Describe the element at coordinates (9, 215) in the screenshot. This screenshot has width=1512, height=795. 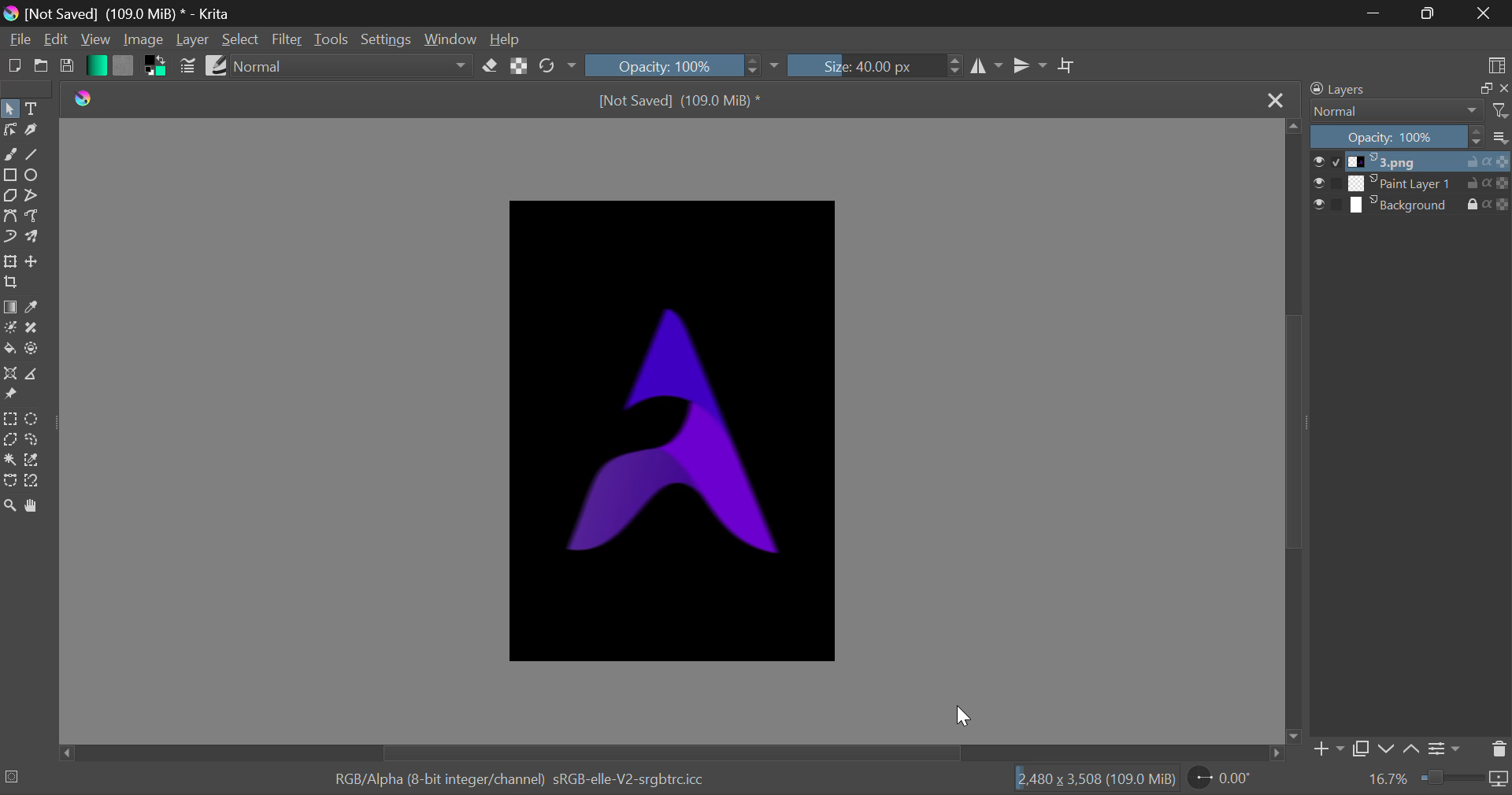
I see `Bezier Curve` at that location.